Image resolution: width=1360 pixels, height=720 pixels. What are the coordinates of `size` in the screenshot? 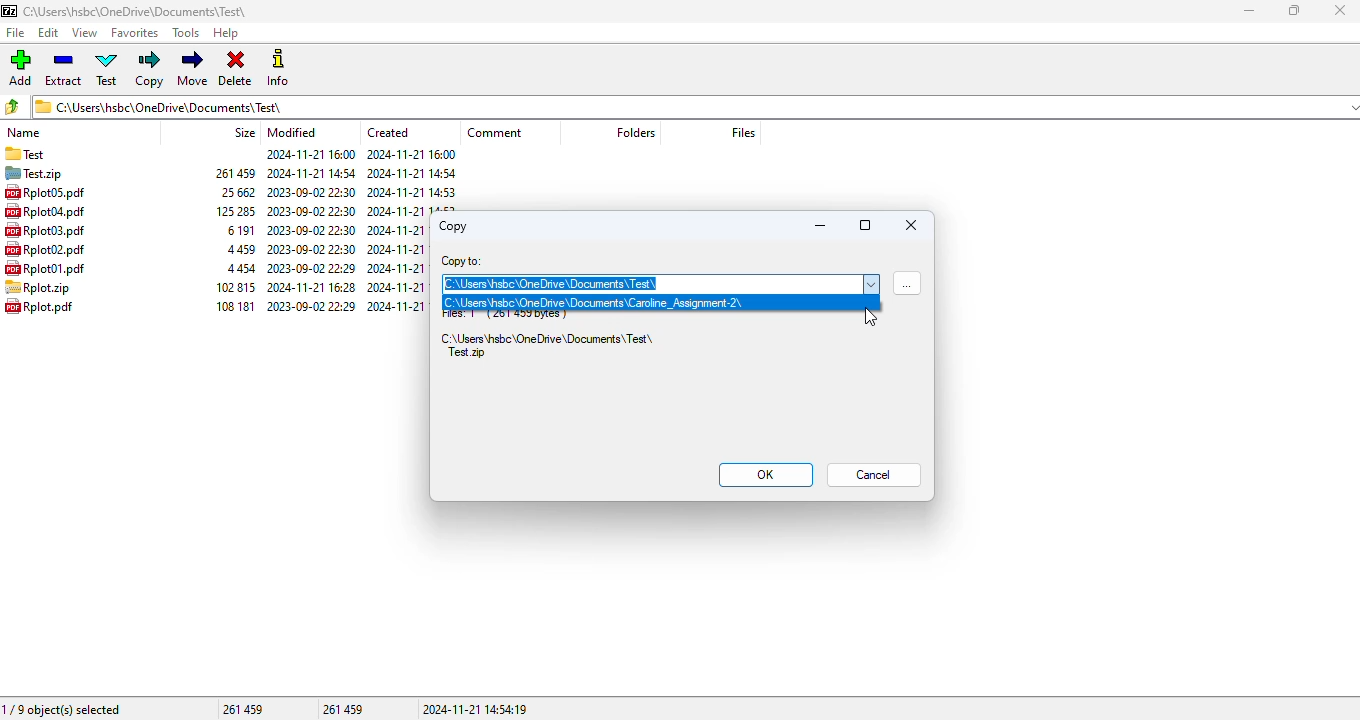 It's located at (234, 192).